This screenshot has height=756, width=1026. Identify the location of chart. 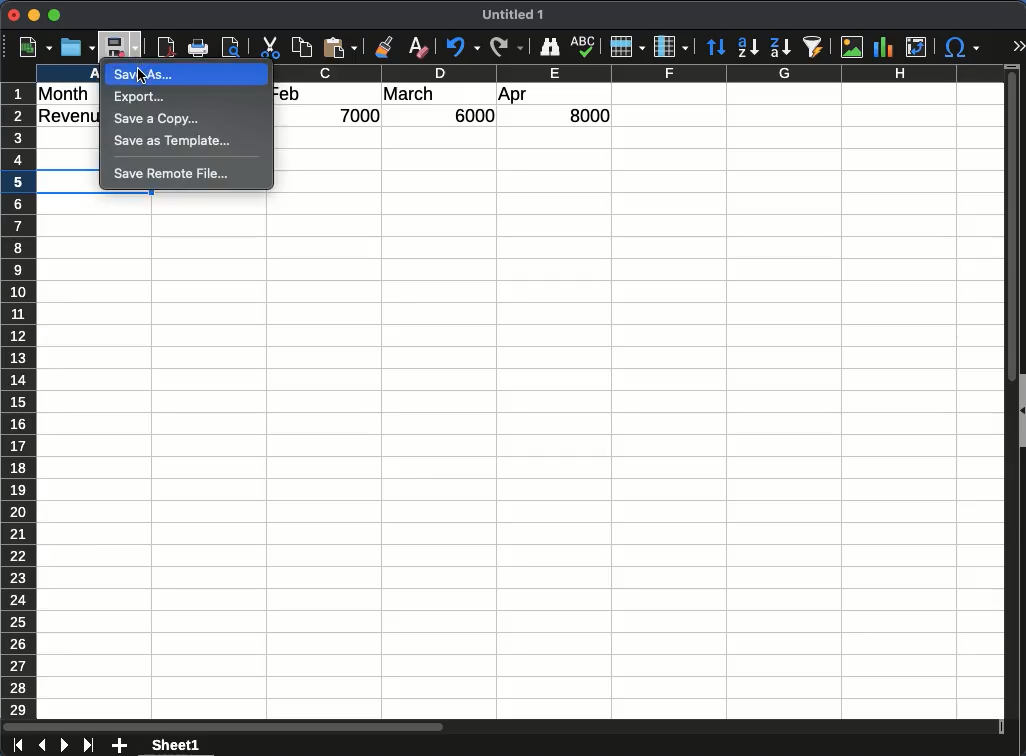
(881, 46).